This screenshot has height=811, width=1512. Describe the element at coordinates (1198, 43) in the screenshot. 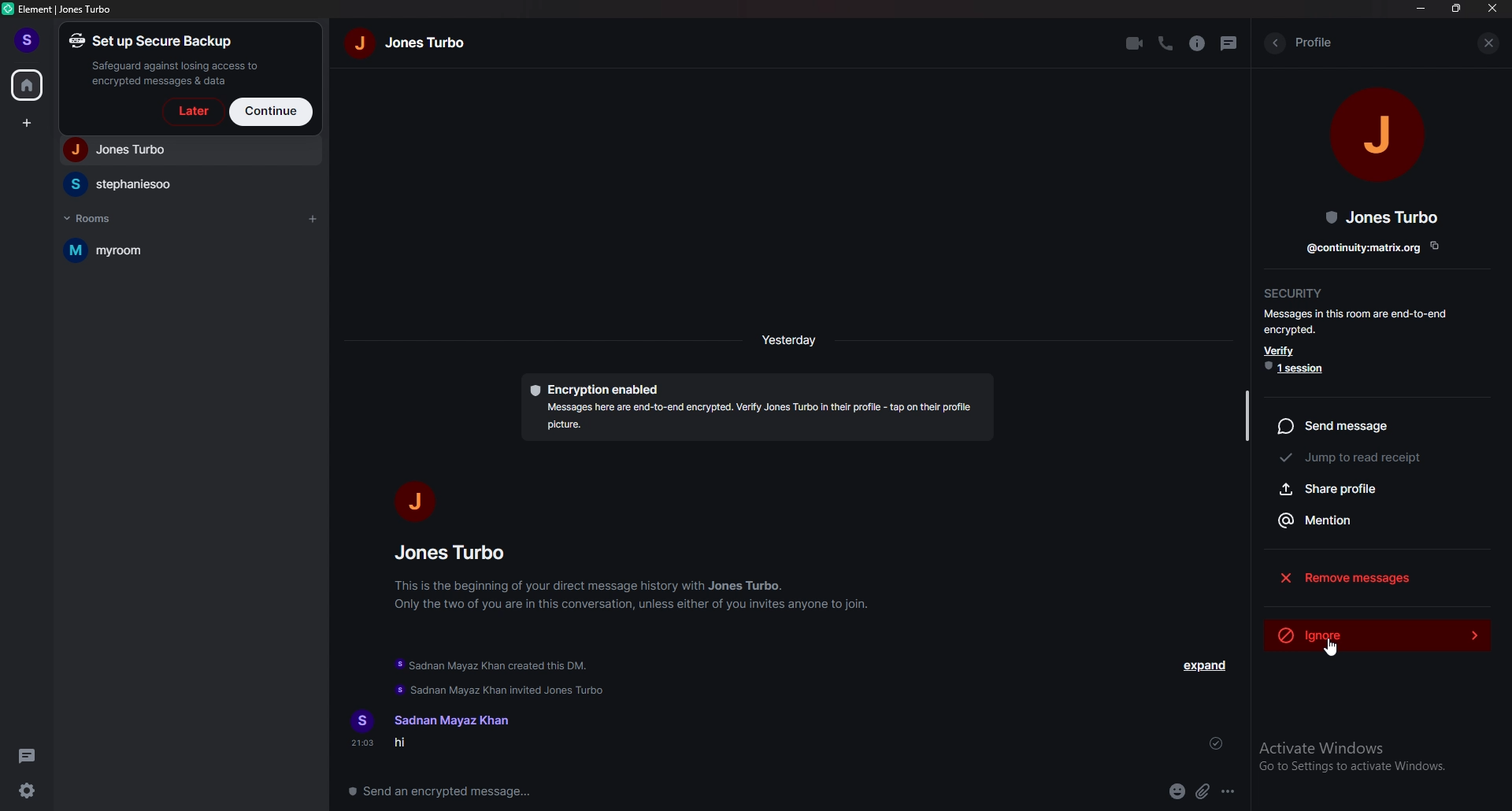

I see `info` at that location.